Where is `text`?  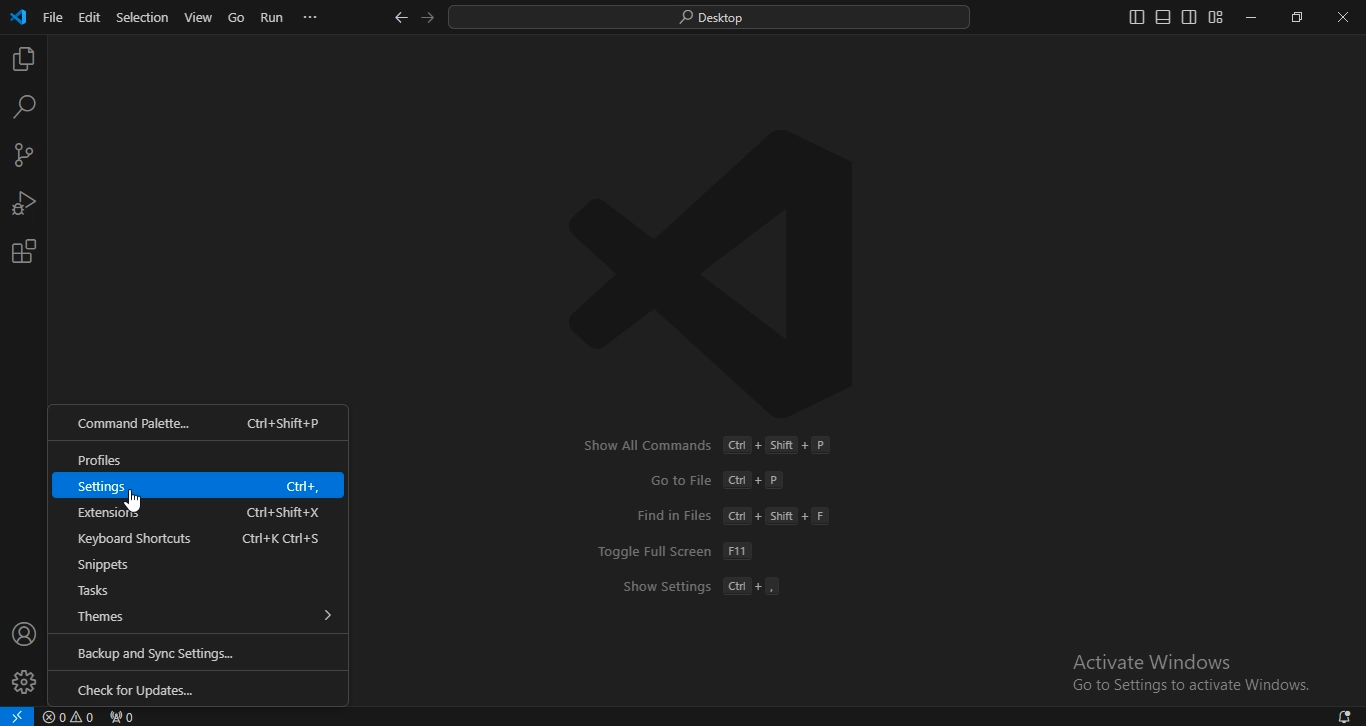
text is located at coordinates (1154, 661).